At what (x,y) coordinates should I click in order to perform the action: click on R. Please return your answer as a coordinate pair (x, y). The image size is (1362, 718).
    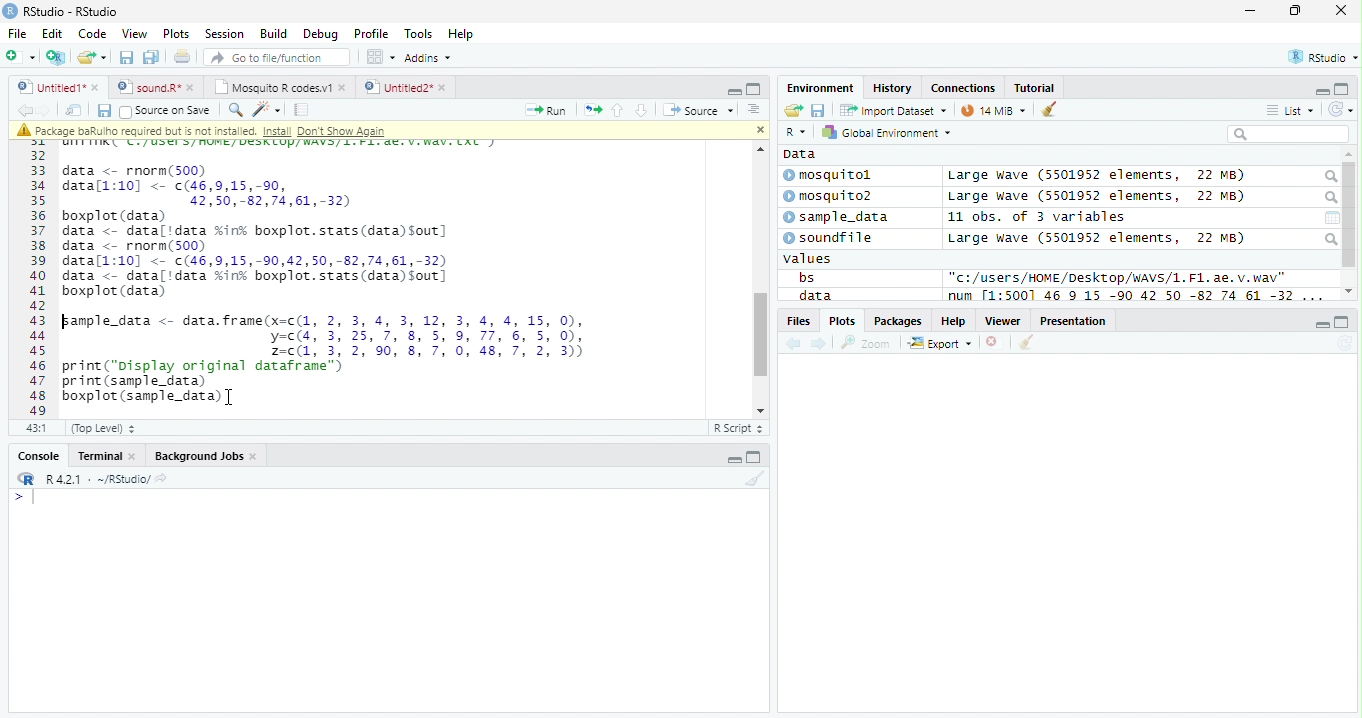
    Looking at the image, I should click on (798, 132).